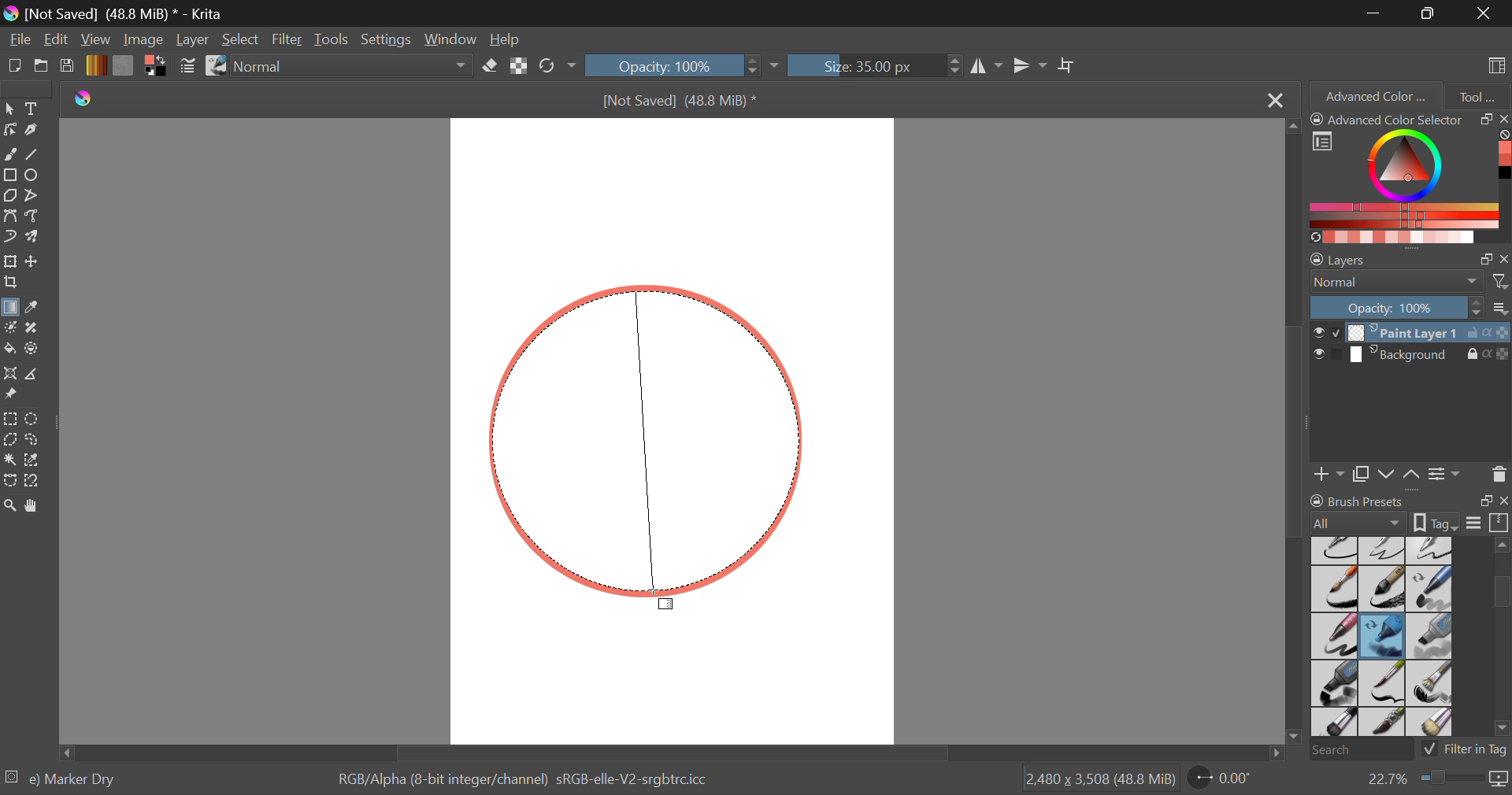  What do you see at coordinates (1494, 64) in the screenshot?
I see `Choose Workspace` at bounding box center [1494, 64].